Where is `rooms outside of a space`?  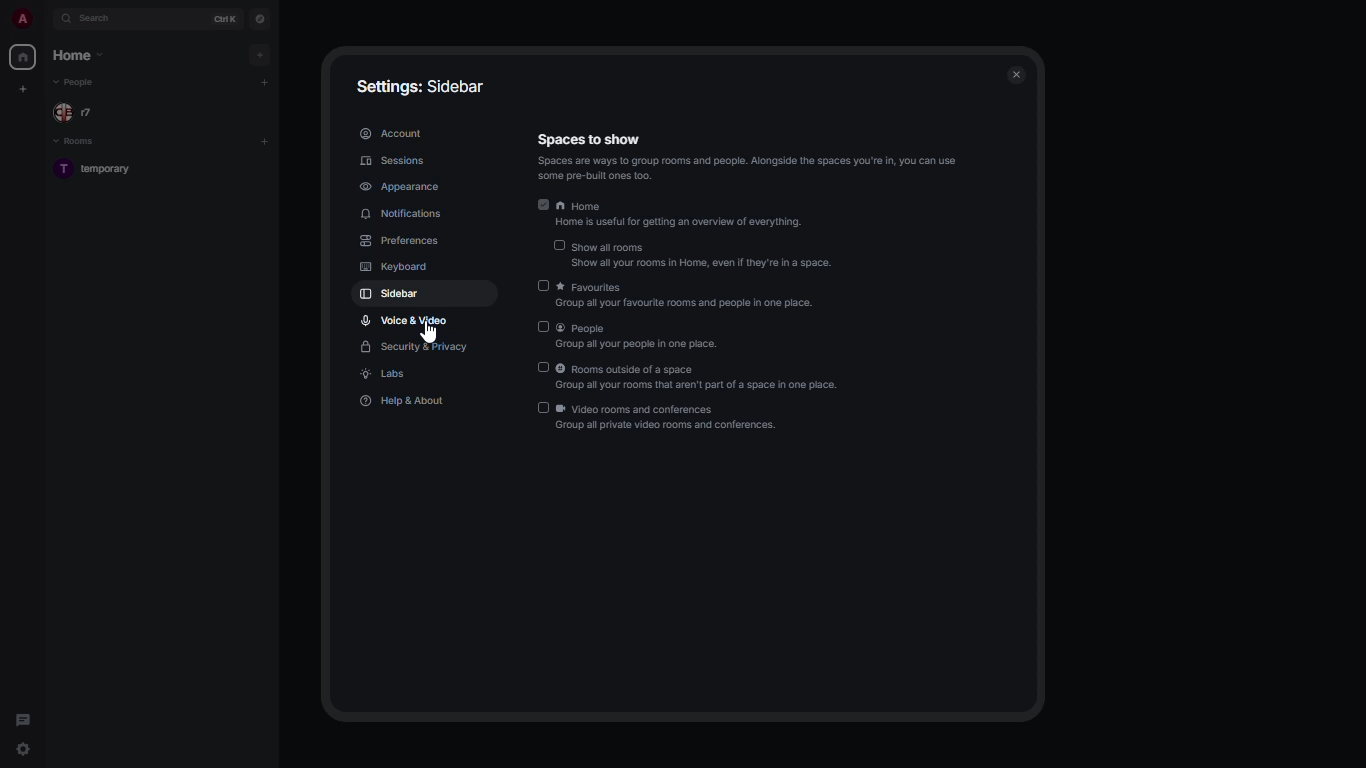 rooms outside of a space is located at coordinates (699, 378).